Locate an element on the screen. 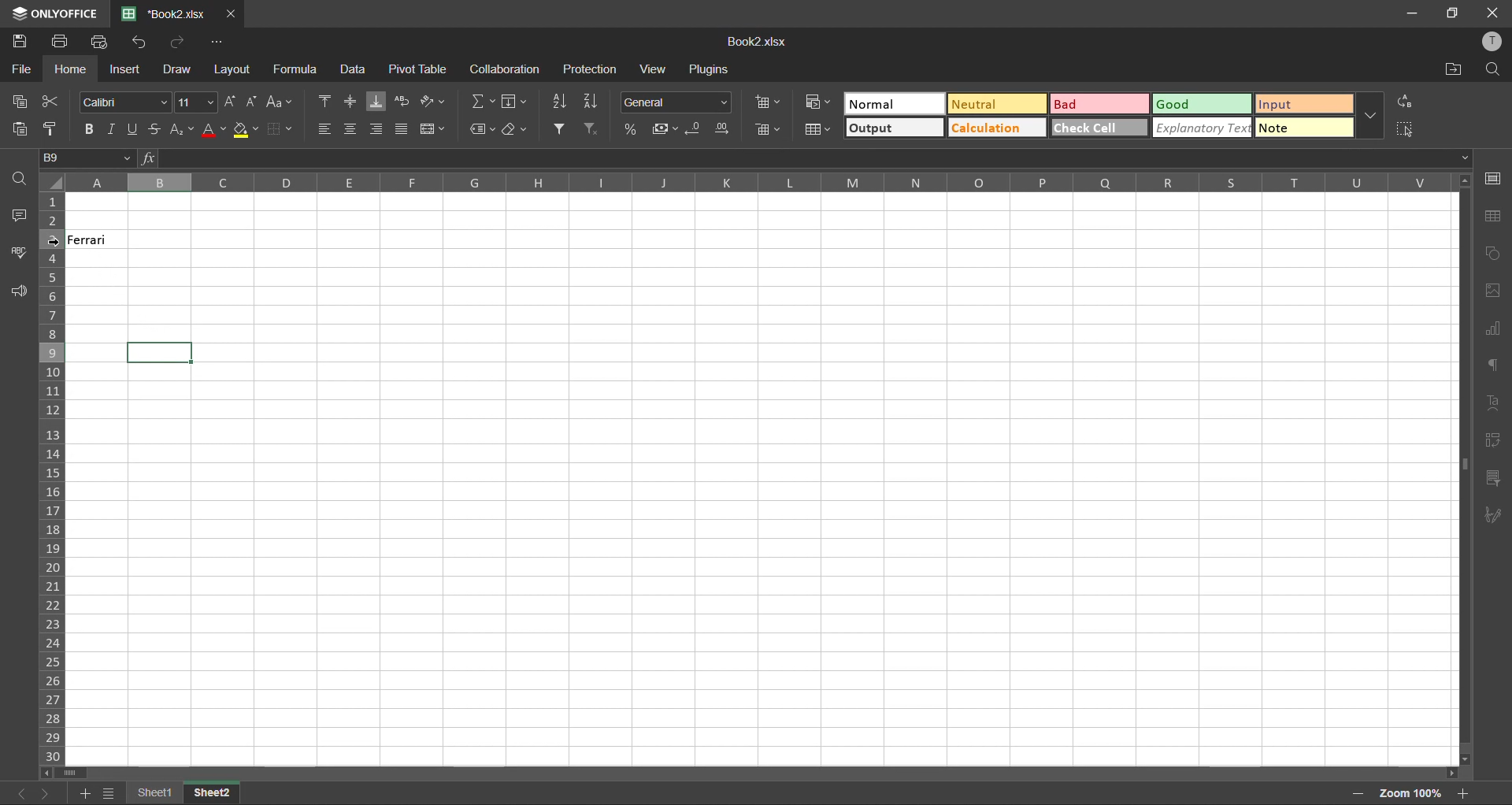  more options is located at coordinates (1367, 114).